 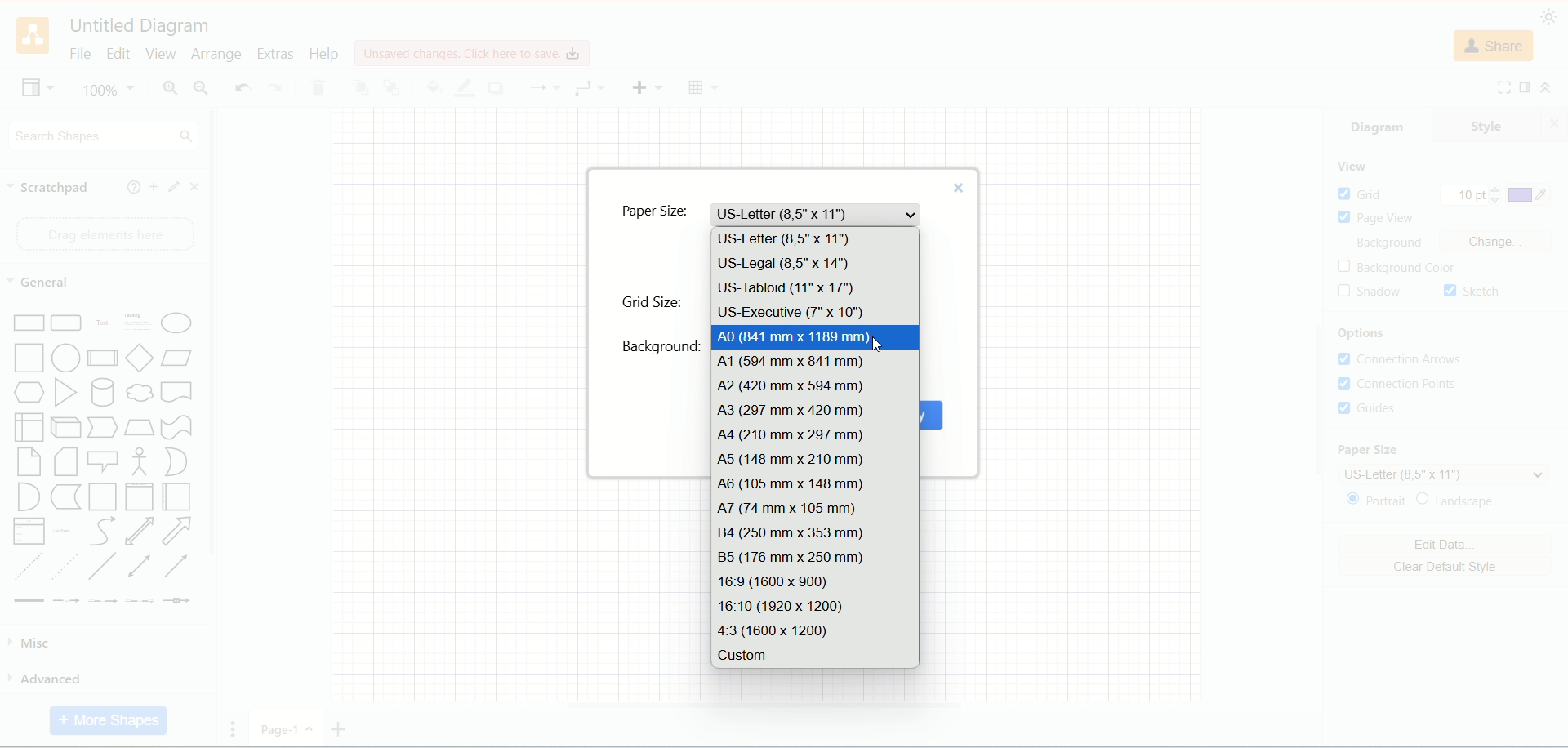 What do you see at coordinates (957, 185) in the screenshot?
I see `close` at bounding box center [957, 185].